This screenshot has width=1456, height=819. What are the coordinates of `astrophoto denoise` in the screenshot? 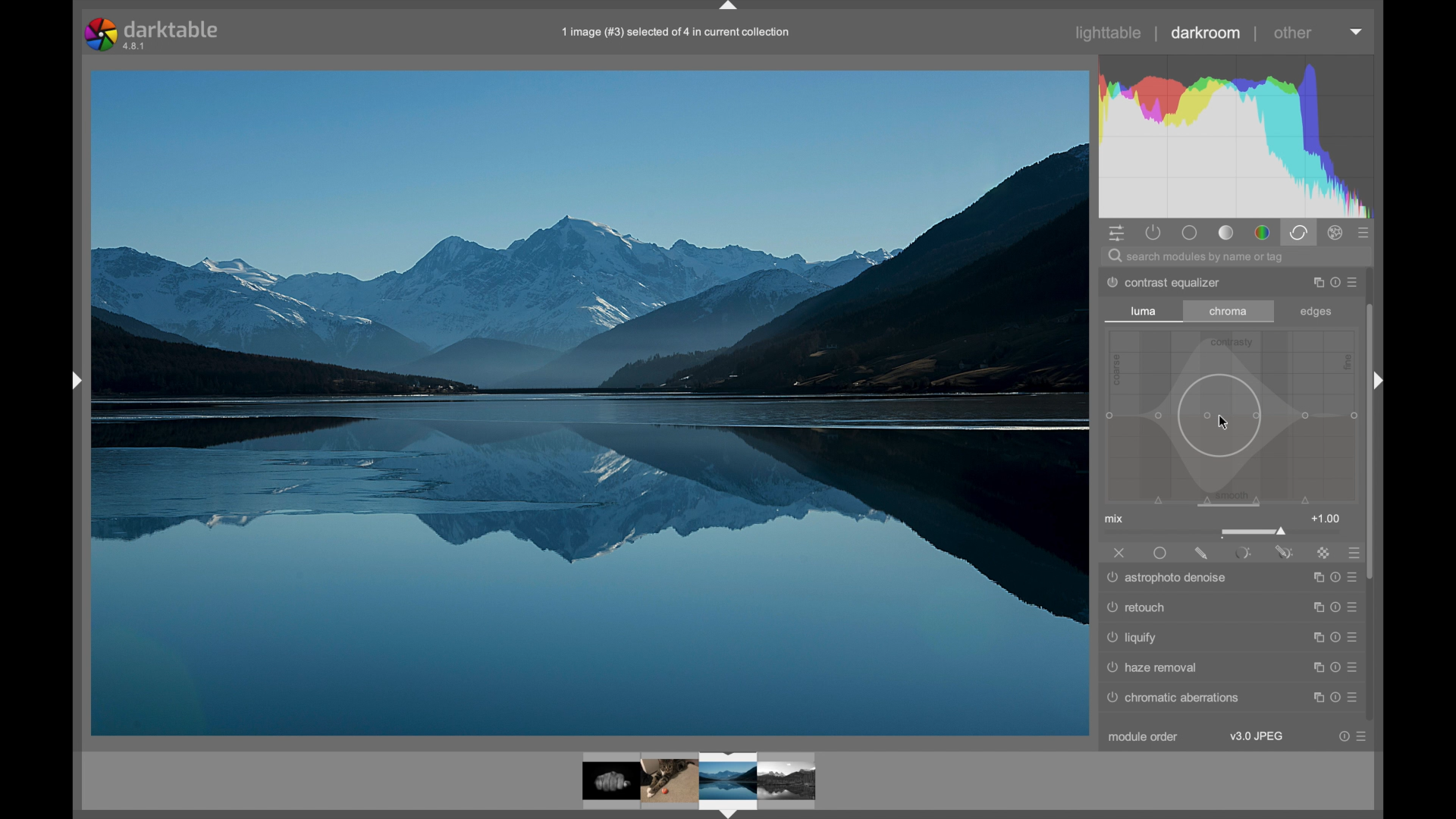 It's located at (1169, 581).